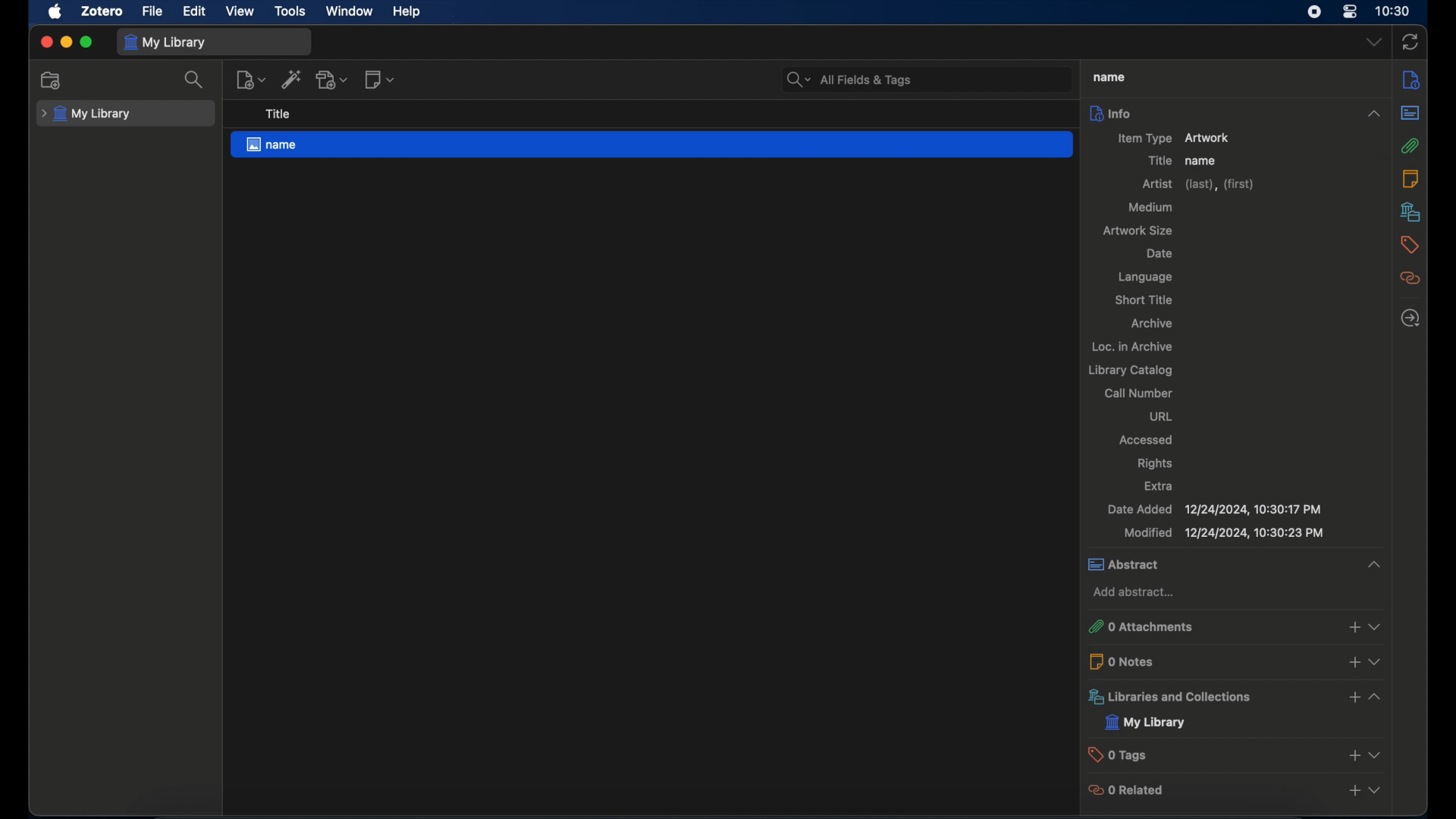  What do you see at coordinates (1410, 278) in the screenshot?
I see `related` at bounding box center [1410, 278].